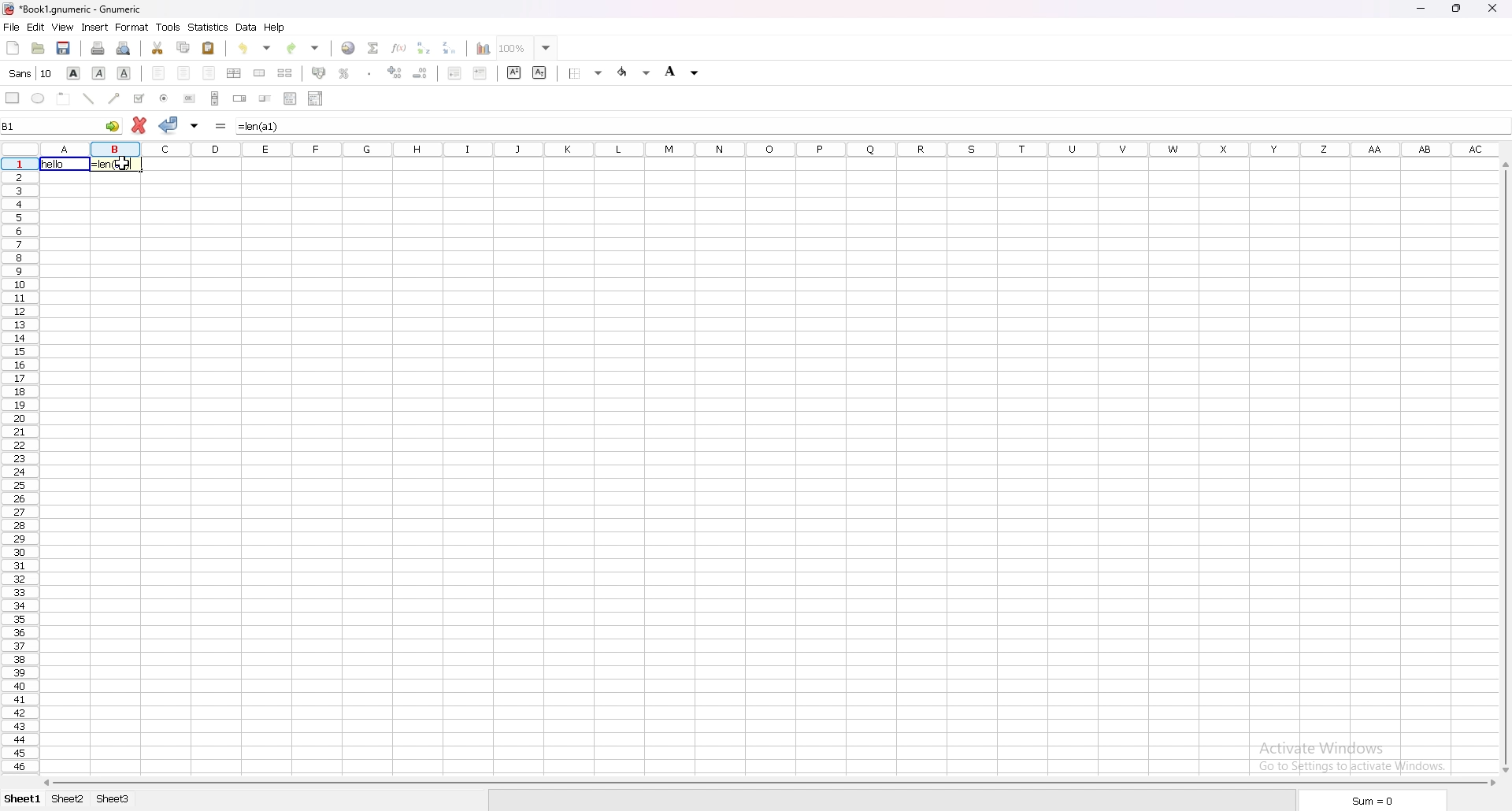  I want to click on open, so click(38, 49).